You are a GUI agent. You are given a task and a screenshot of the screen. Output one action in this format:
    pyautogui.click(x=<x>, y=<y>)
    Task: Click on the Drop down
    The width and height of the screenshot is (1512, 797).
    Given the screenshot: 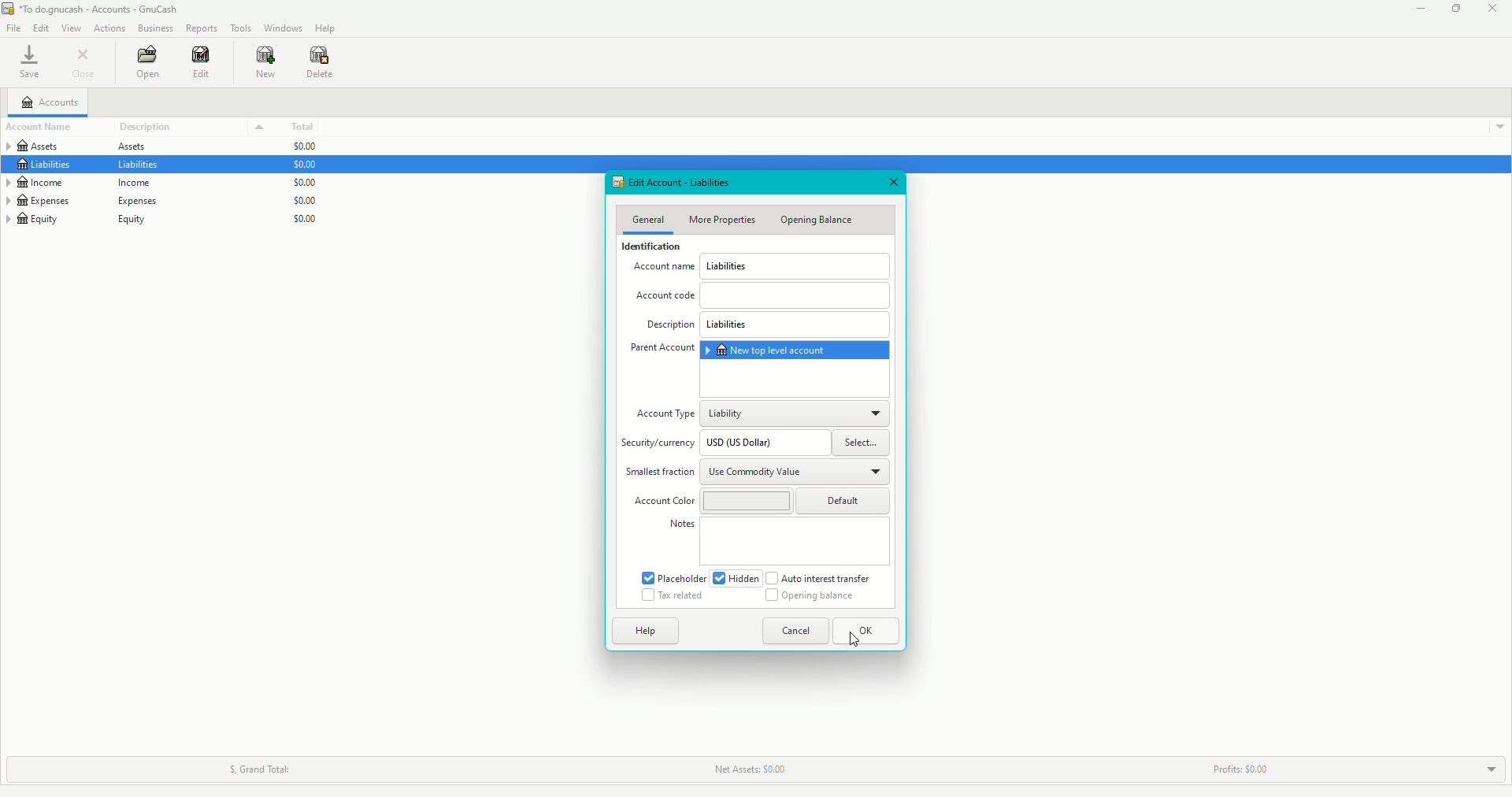 What is the action you would take?
    pyautogui.click(x=258, y=127)
    